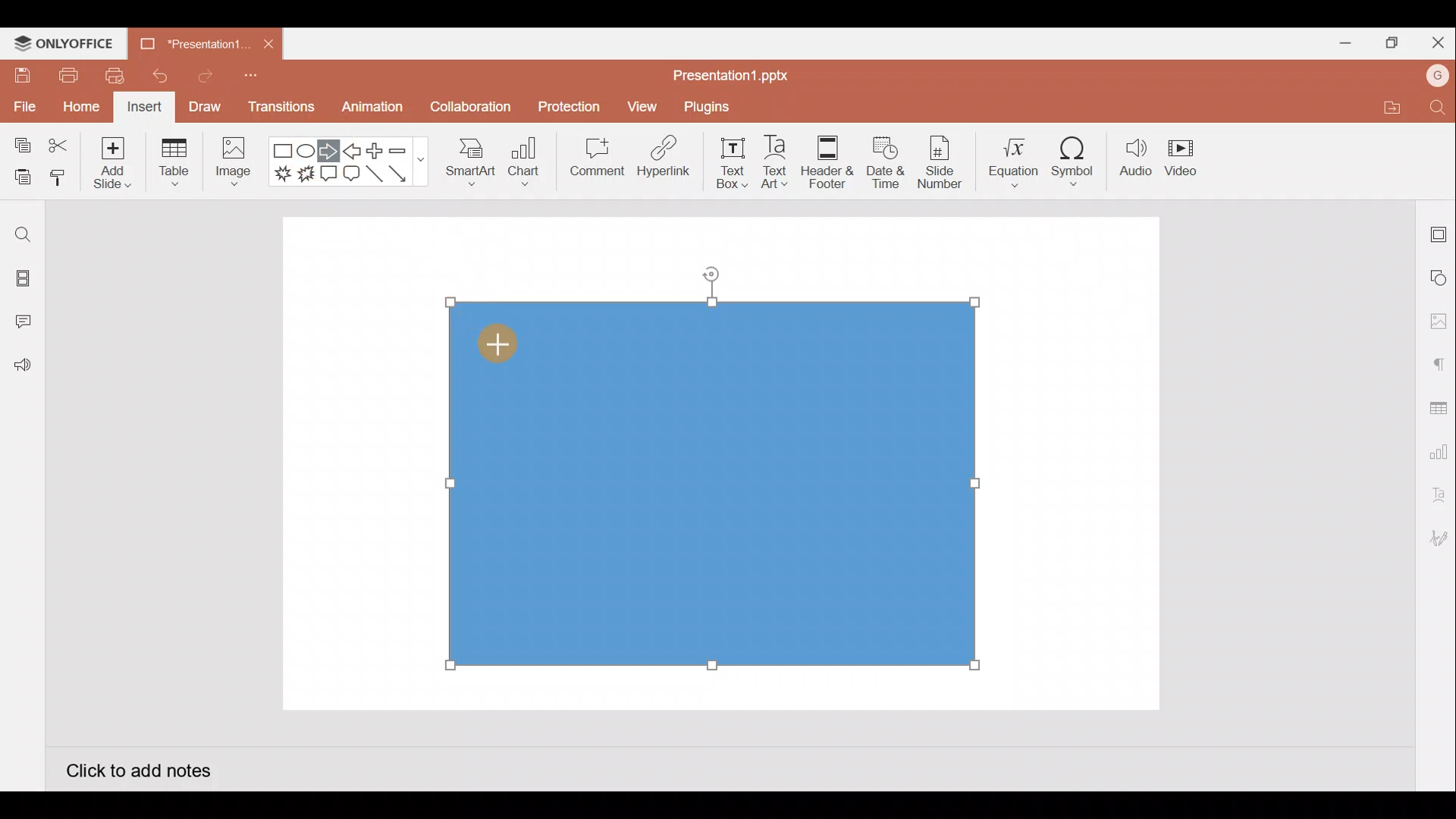  Describe the element at coordinates (1183, 155) in the screenshot. I see `Video` at that location.